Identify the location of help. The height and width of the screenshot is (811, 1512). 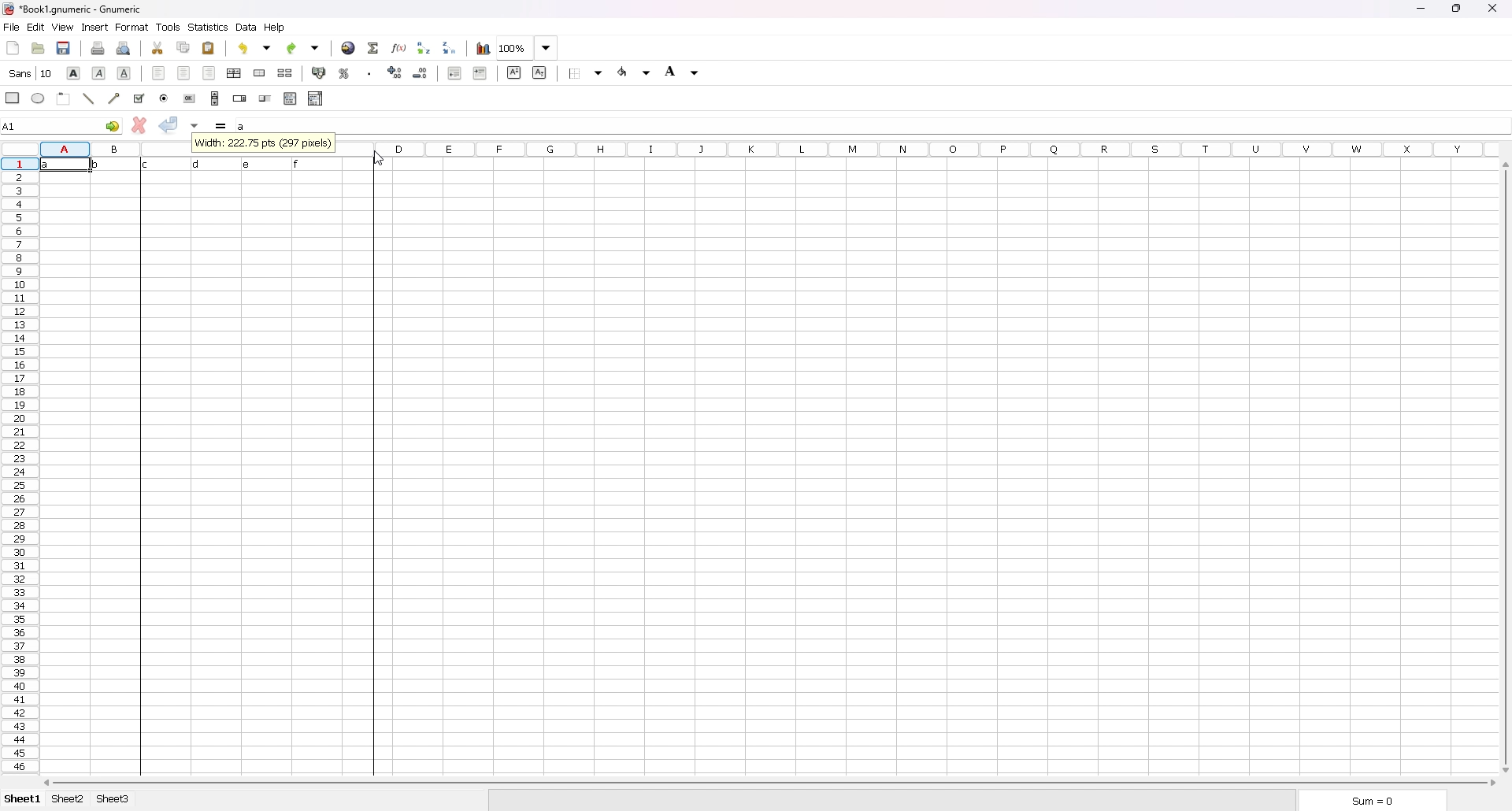
(276, 27).